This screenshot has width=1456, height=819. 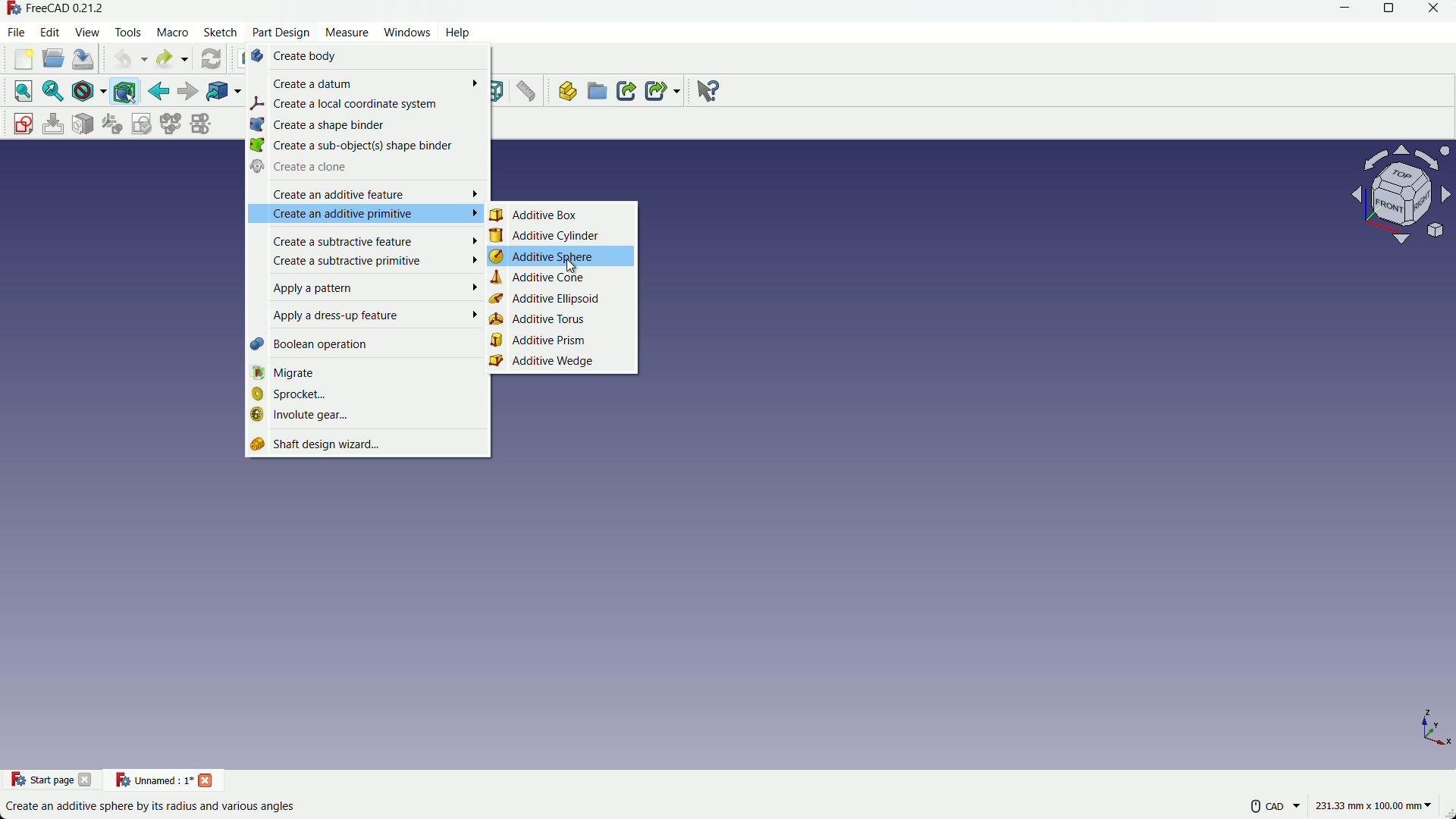 I want to click on create part, so click(x=566, y=91).